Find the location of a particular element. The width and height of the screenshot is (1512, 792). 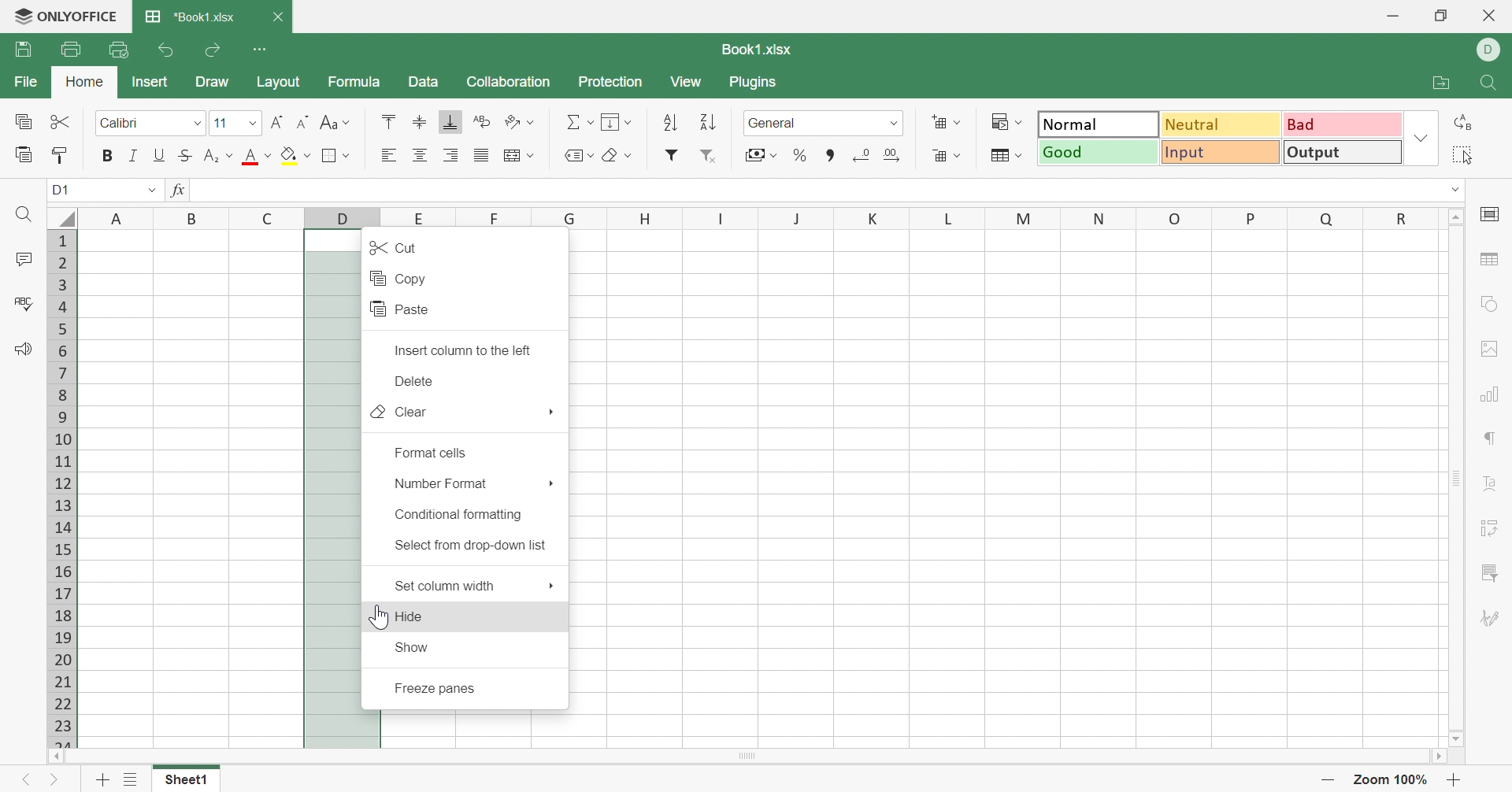

Copy is located at coordinates (24, 120).